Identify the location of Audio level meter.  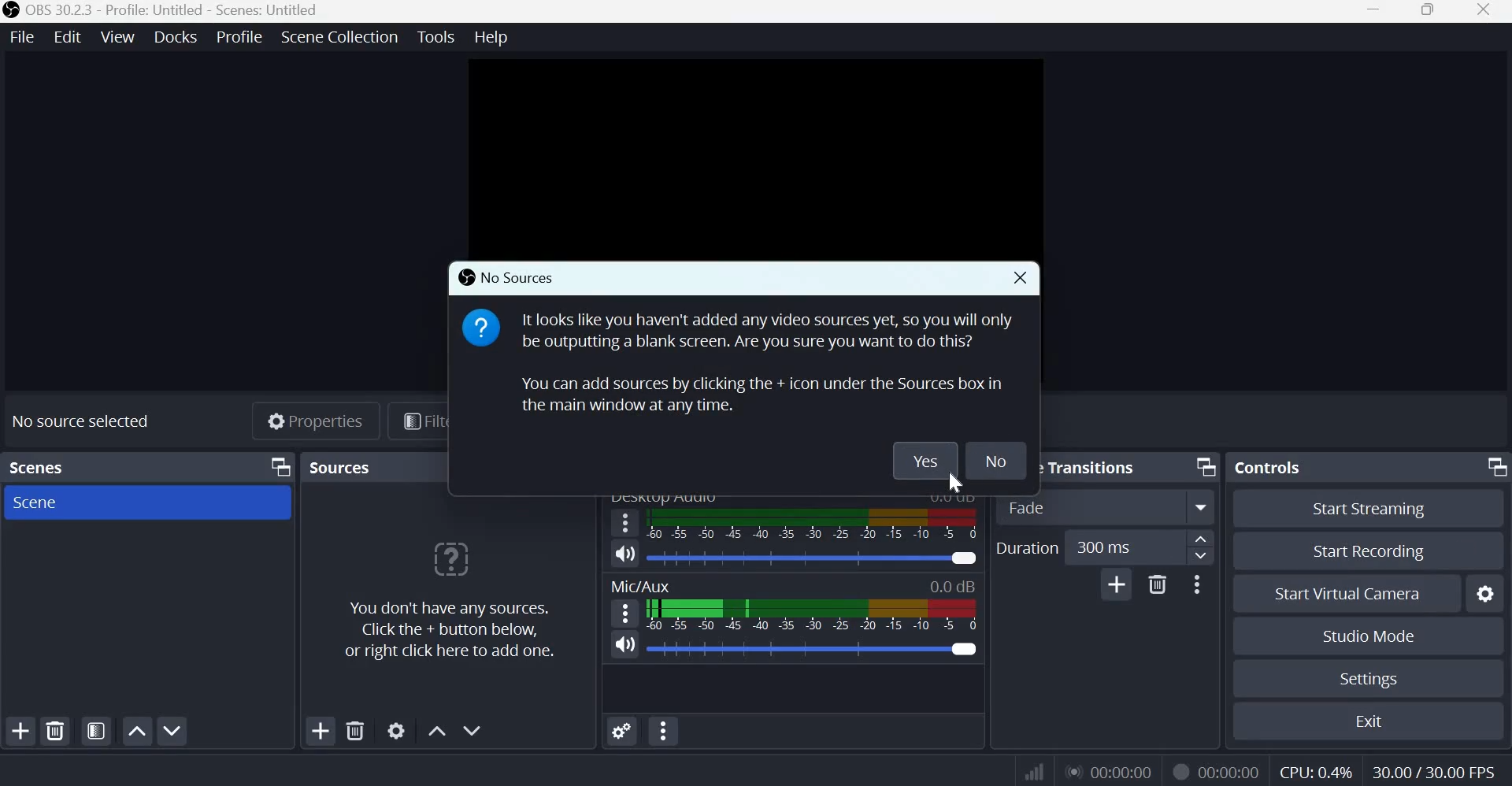
(788, 650).